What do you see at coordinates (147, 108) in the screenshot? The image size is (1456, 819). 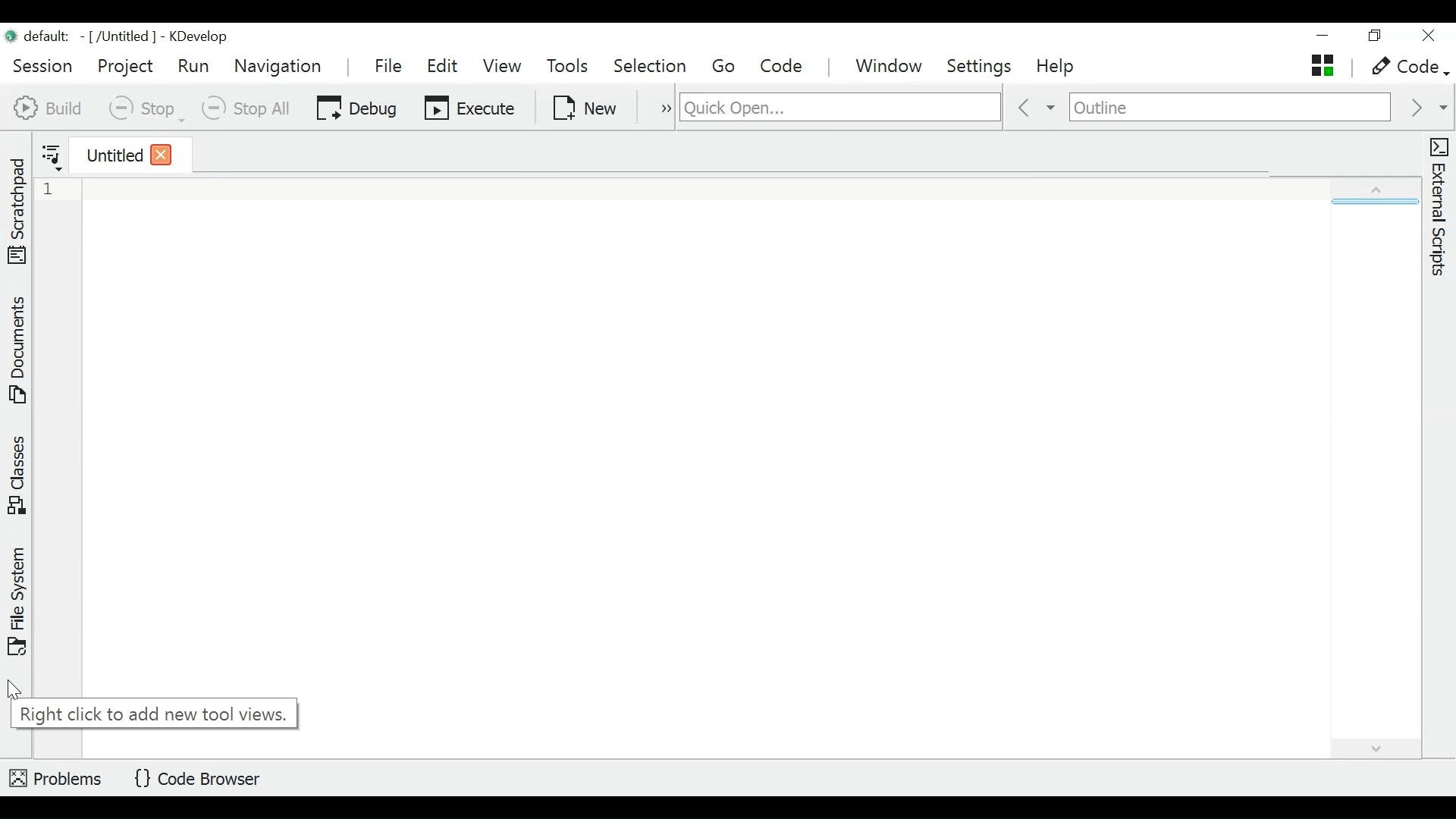 I see `Stop` at bounding box center [147, 108].